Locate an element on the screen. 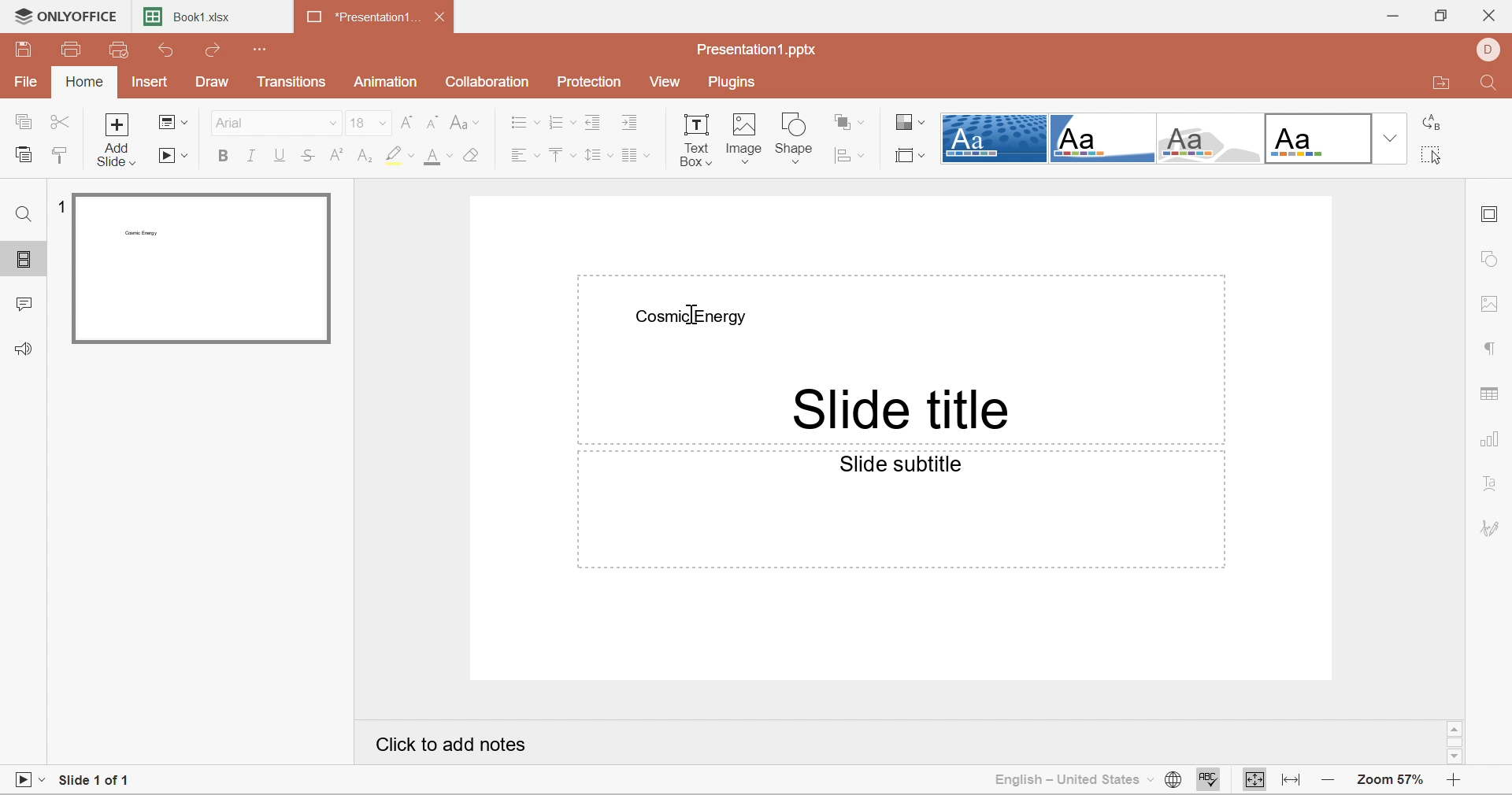 This screenshot has height=795, width=1512. Zoom out is located at coordinates (1326, 780).